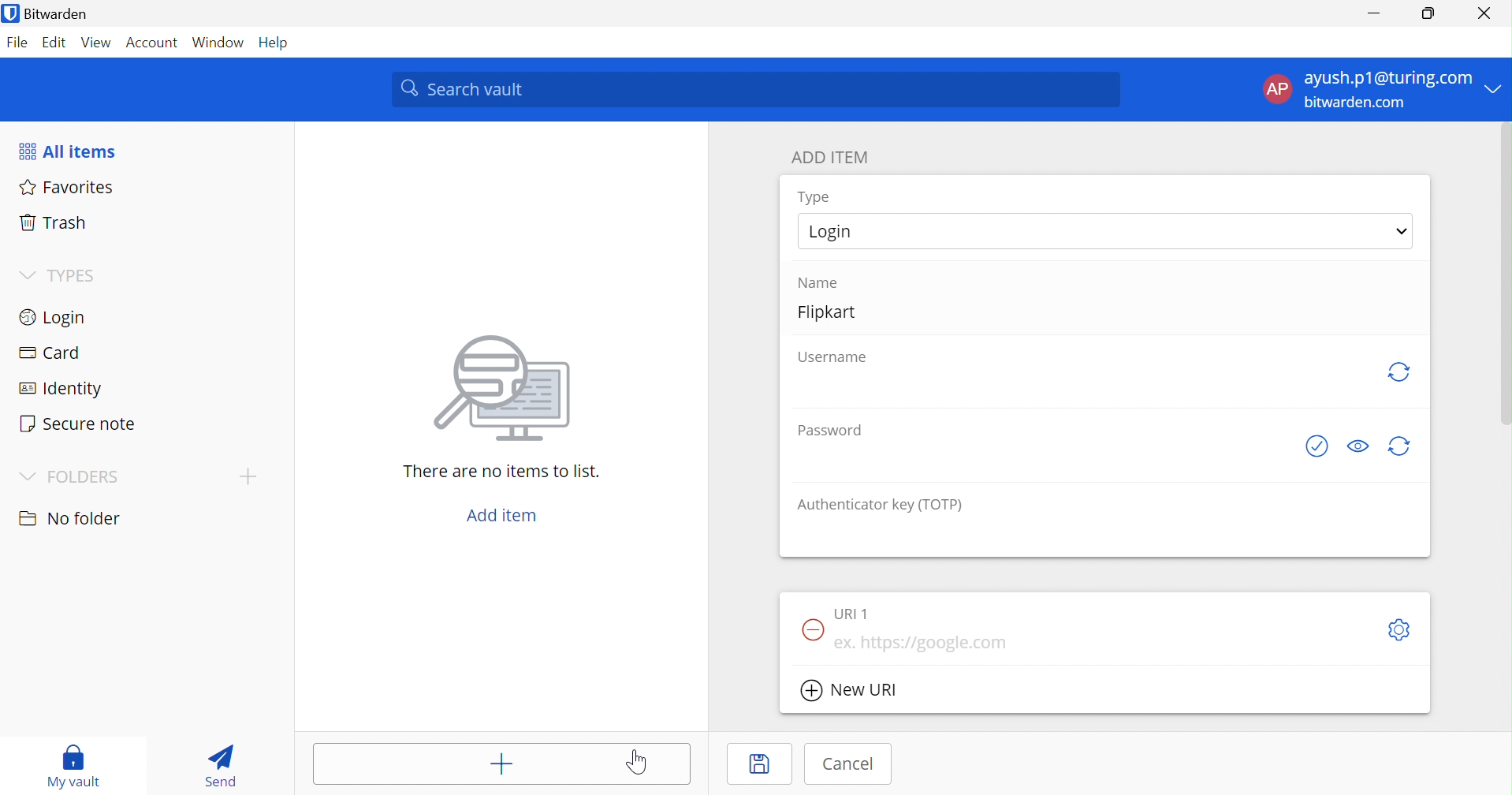 This screenshot has width=1512, height=795. What do you see at coordinates (859, 692) in the screenshot?
I see `New URL` at bounding box center [859, 692].